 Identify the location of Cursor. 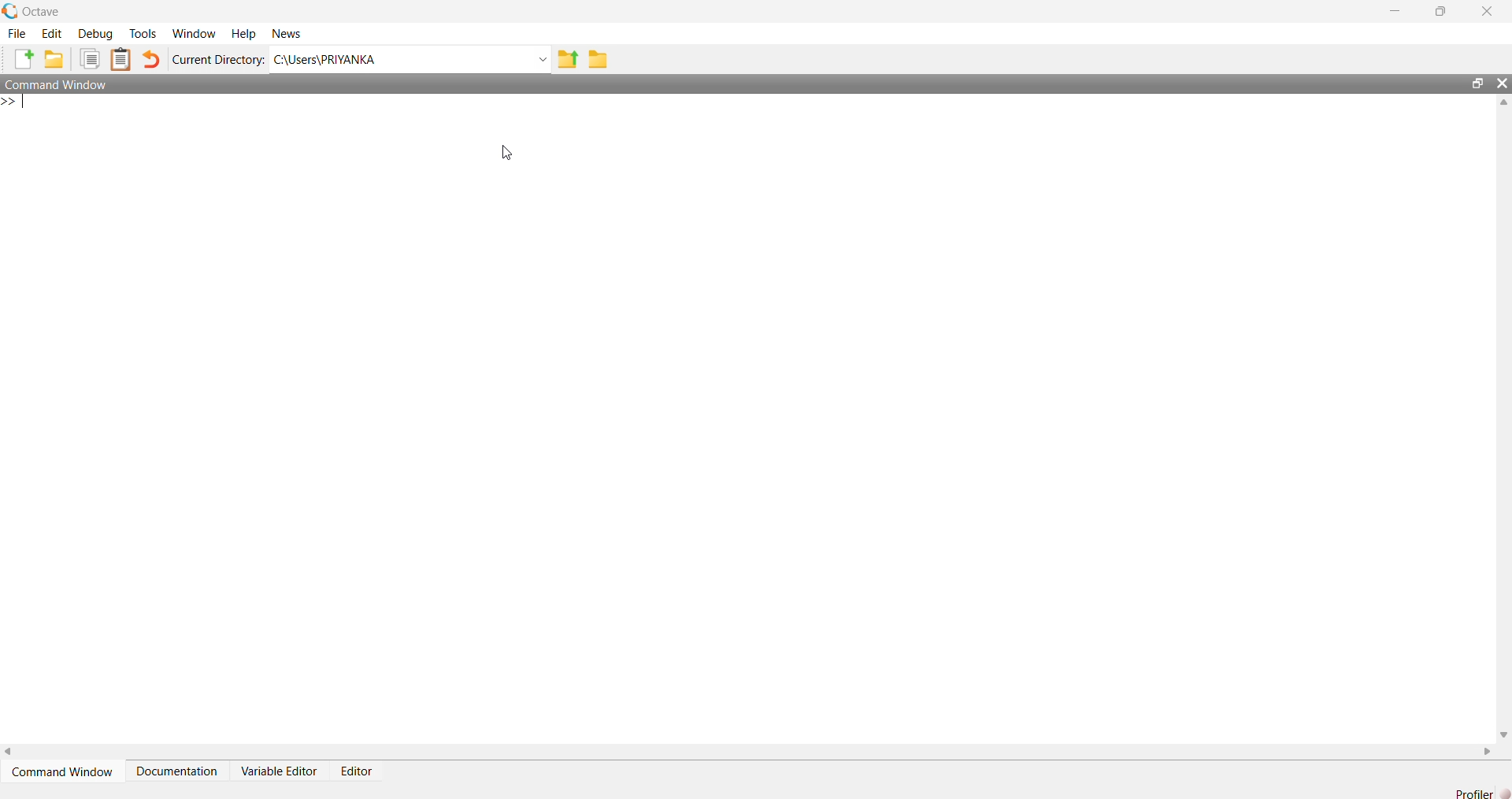
(496, 154).